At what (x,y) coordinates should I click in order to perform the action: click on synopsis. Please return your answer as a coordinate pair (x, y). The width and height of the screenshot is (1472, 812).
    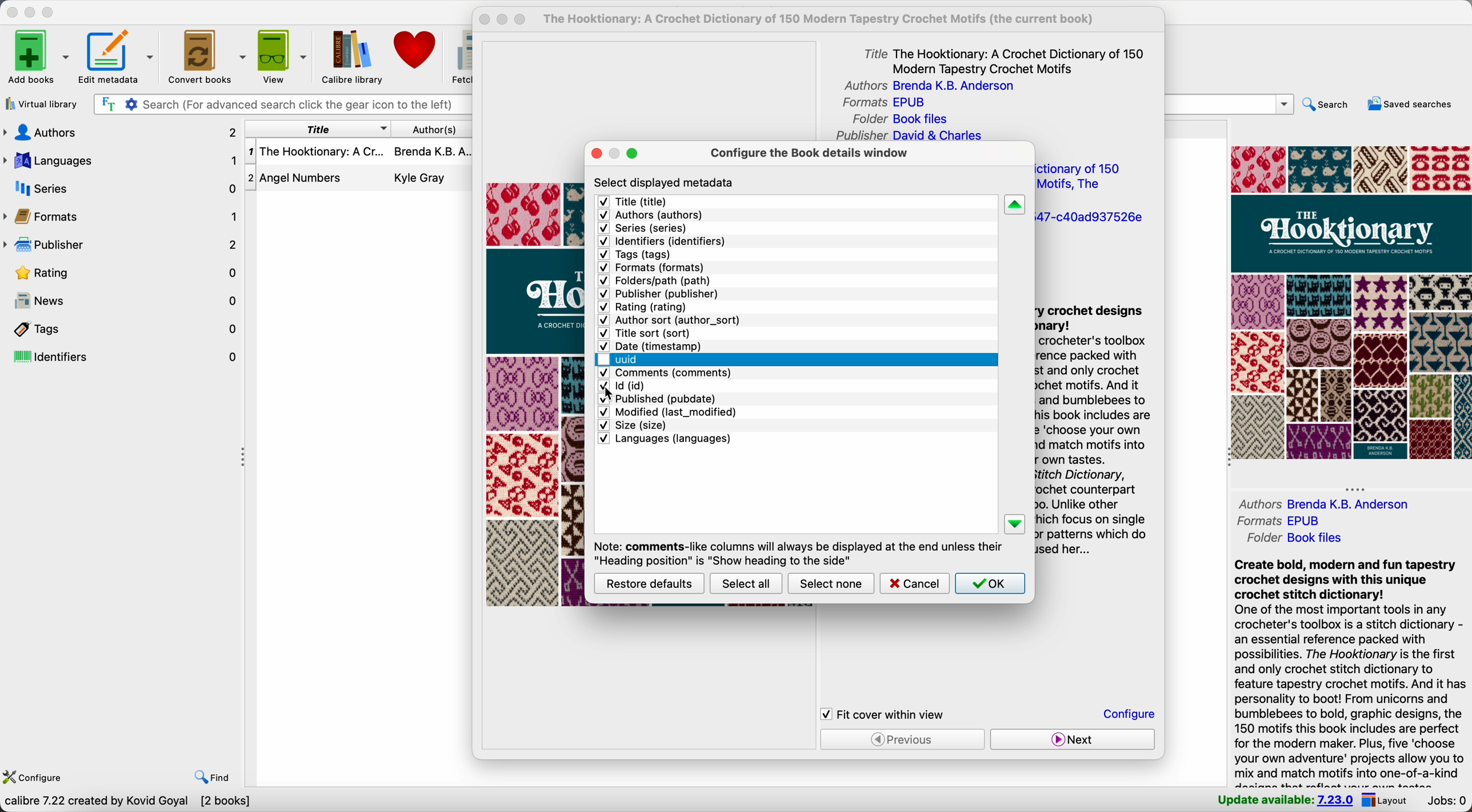
    Looking at the image, I should click on (1350, 671).